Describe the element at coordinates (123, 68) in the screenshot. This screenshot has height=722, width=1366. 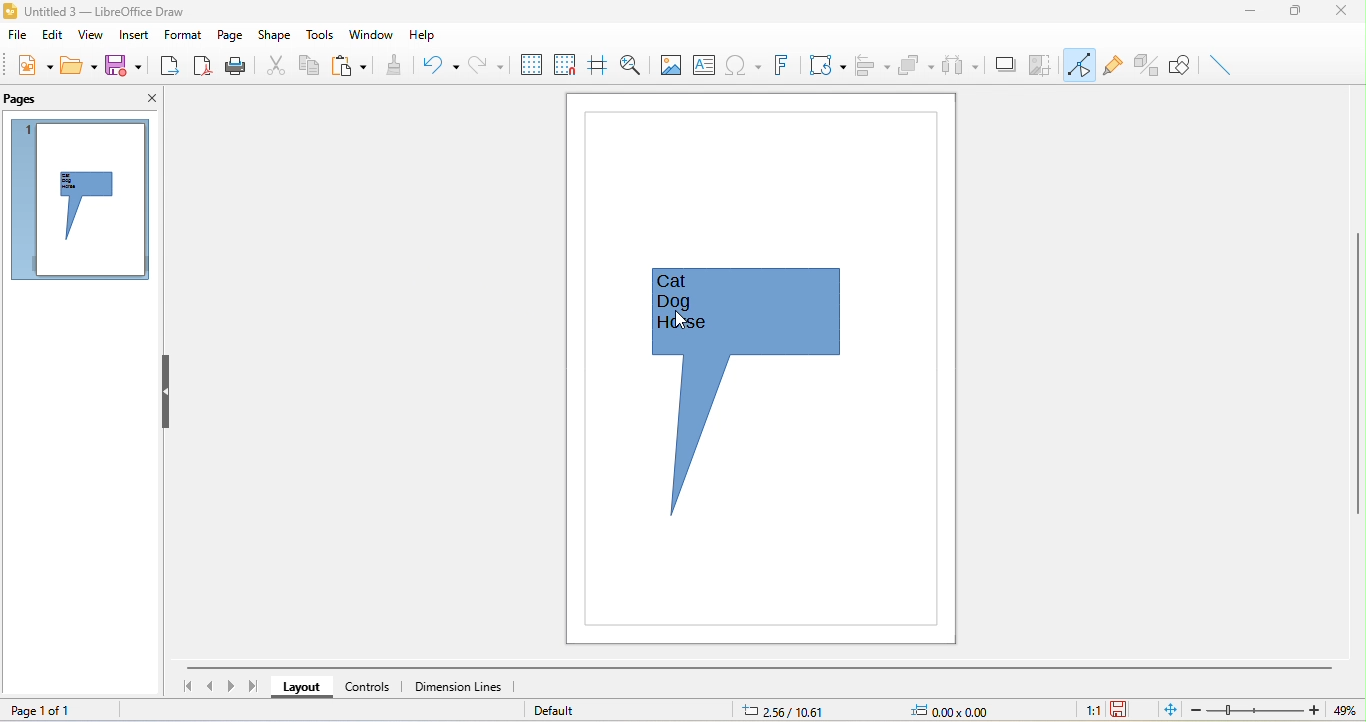
I see `save` at that location.